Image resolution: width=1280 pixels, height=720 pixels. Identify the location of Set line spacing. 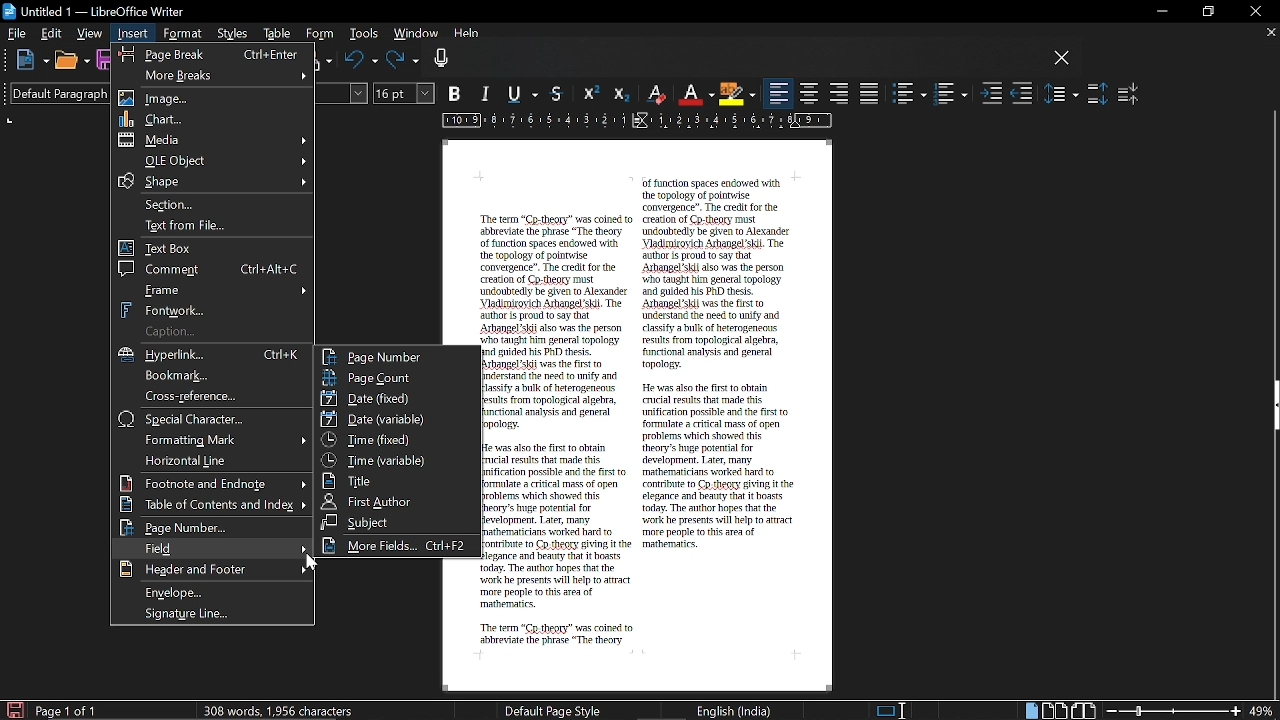
(1062, 93).